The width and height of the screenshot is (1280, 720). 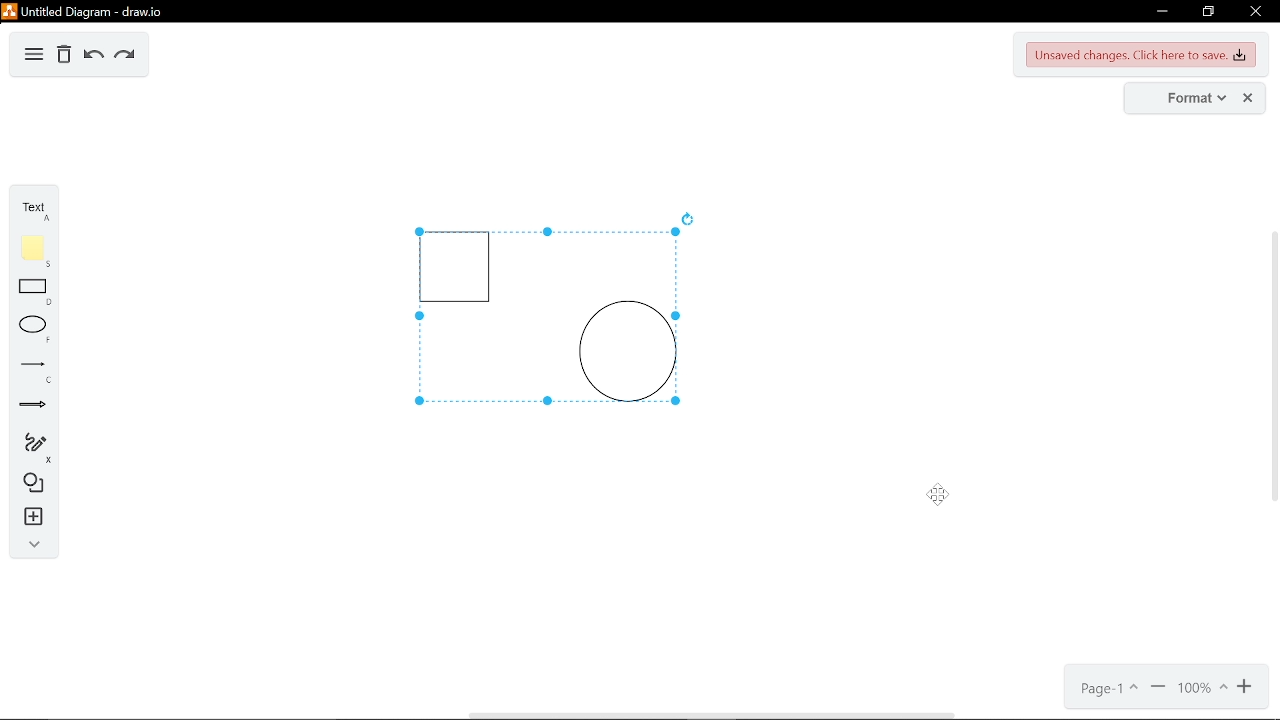 What do you see at coordinates (91, 56) in the screenshot?
I see `undo` at bounding box center [91, 56].